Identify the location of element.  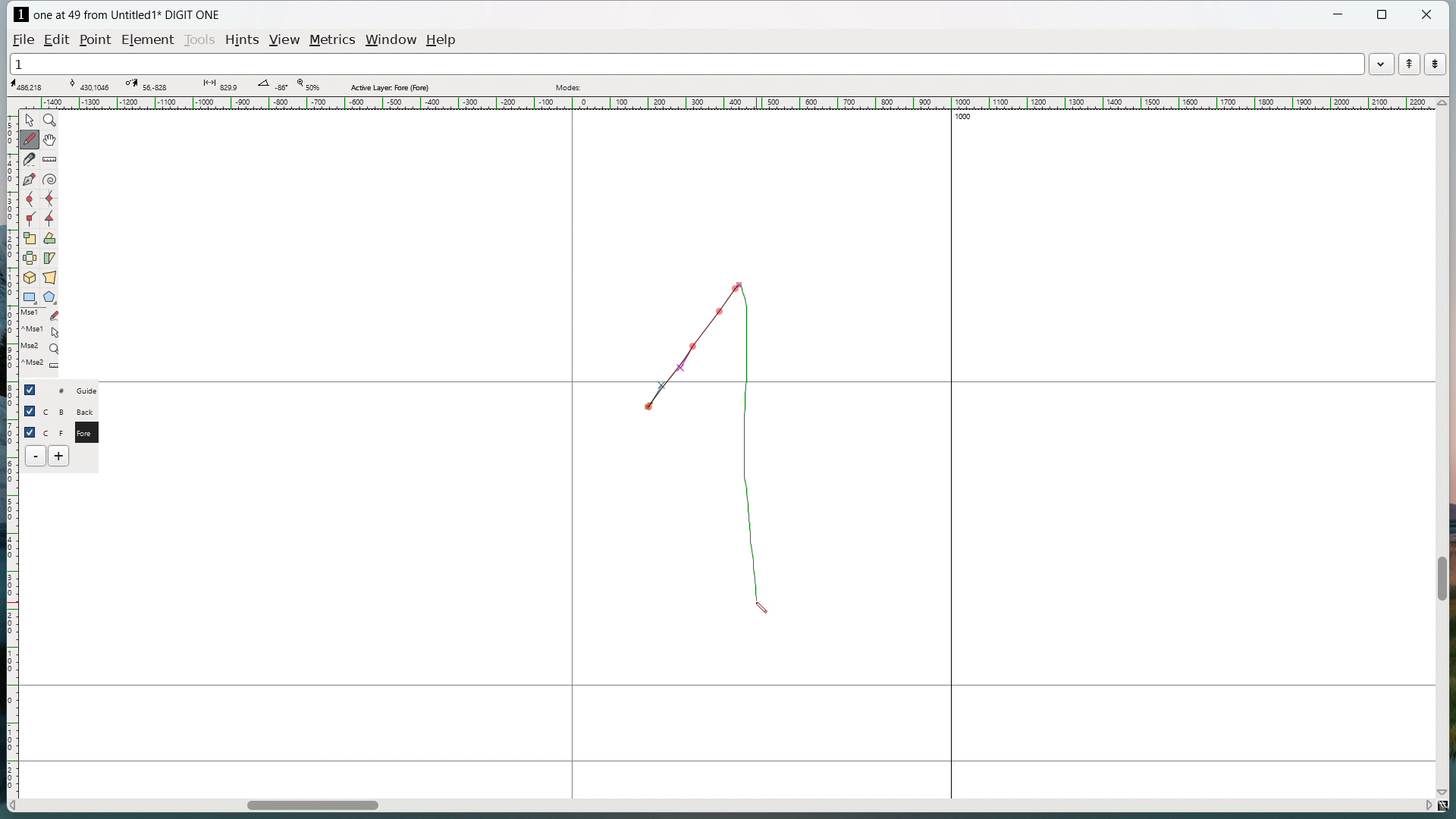
(147, 39).